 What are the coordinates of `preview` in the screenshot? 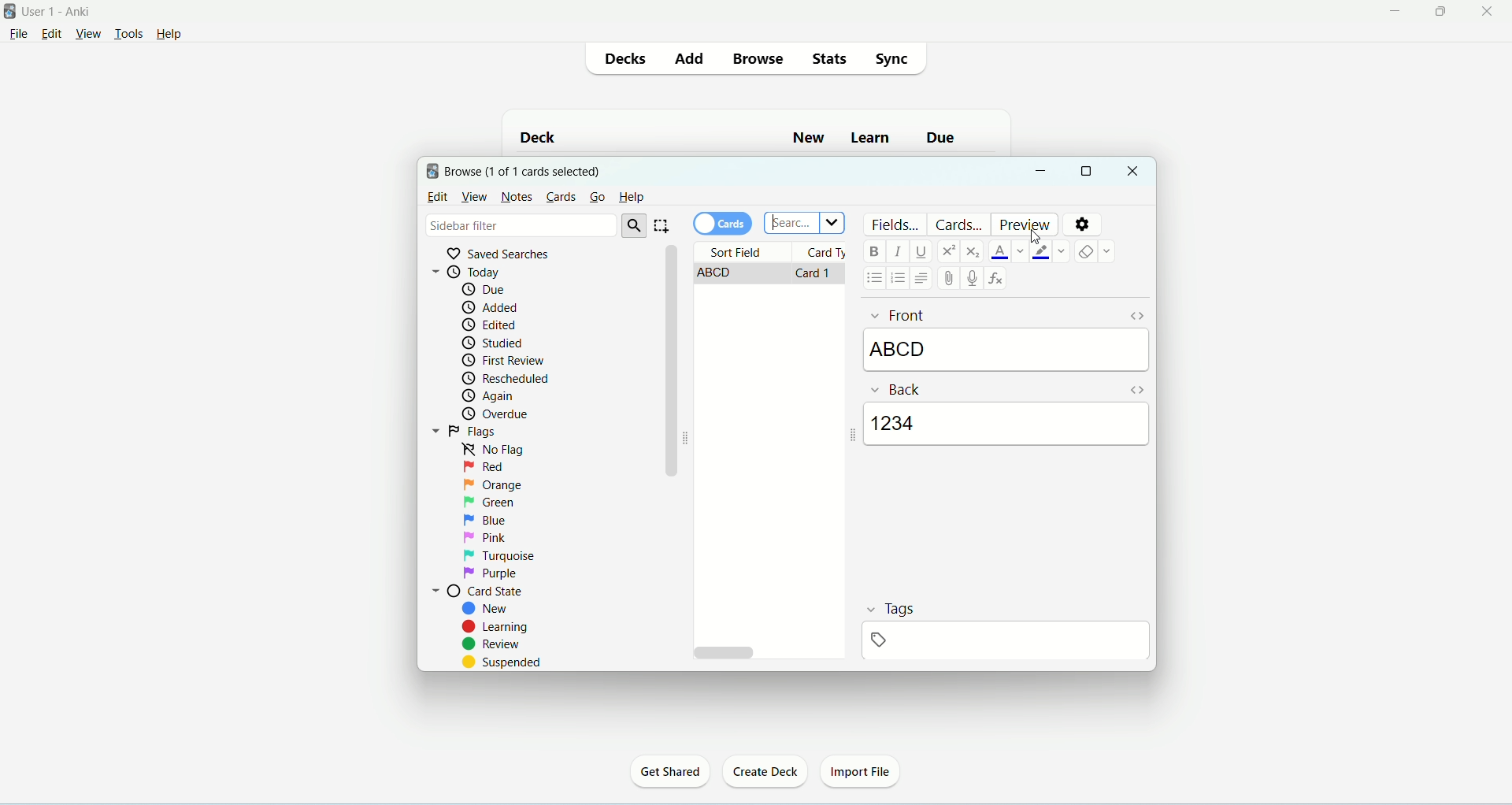 It's located at (1027, 224).